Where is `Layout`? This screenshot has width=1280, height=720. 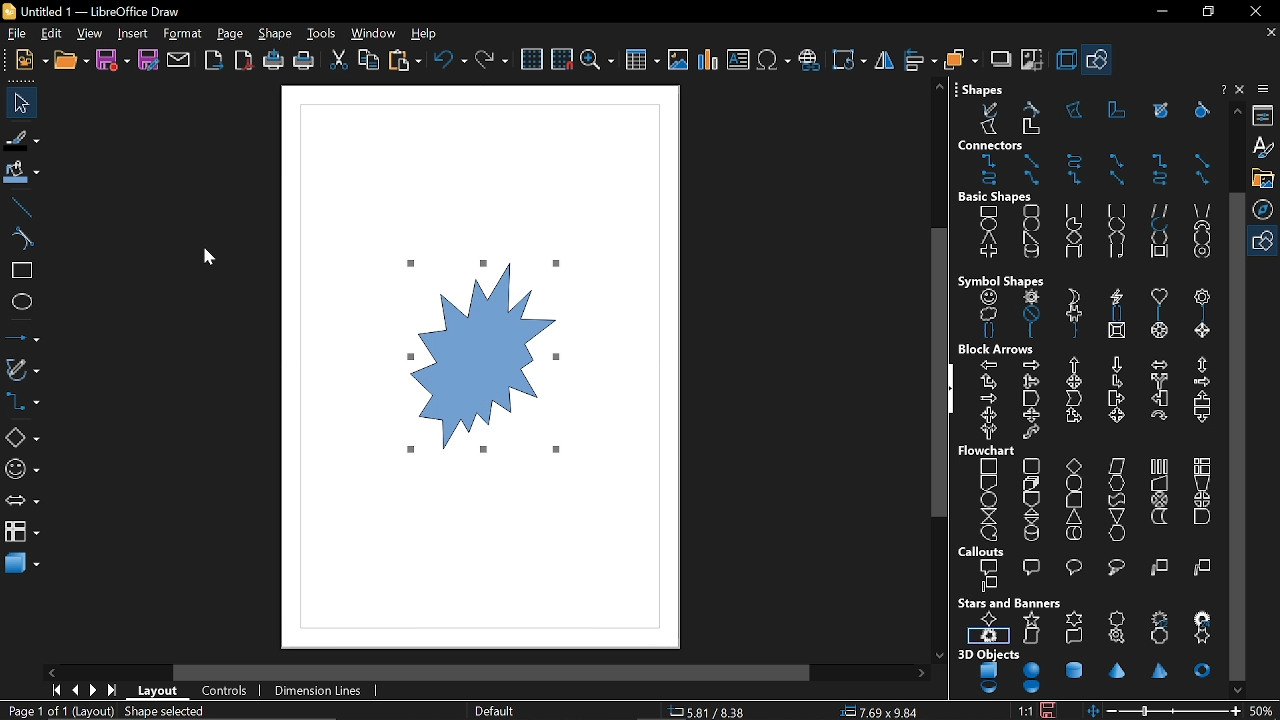
Layout is located at coordinates (161, 691).